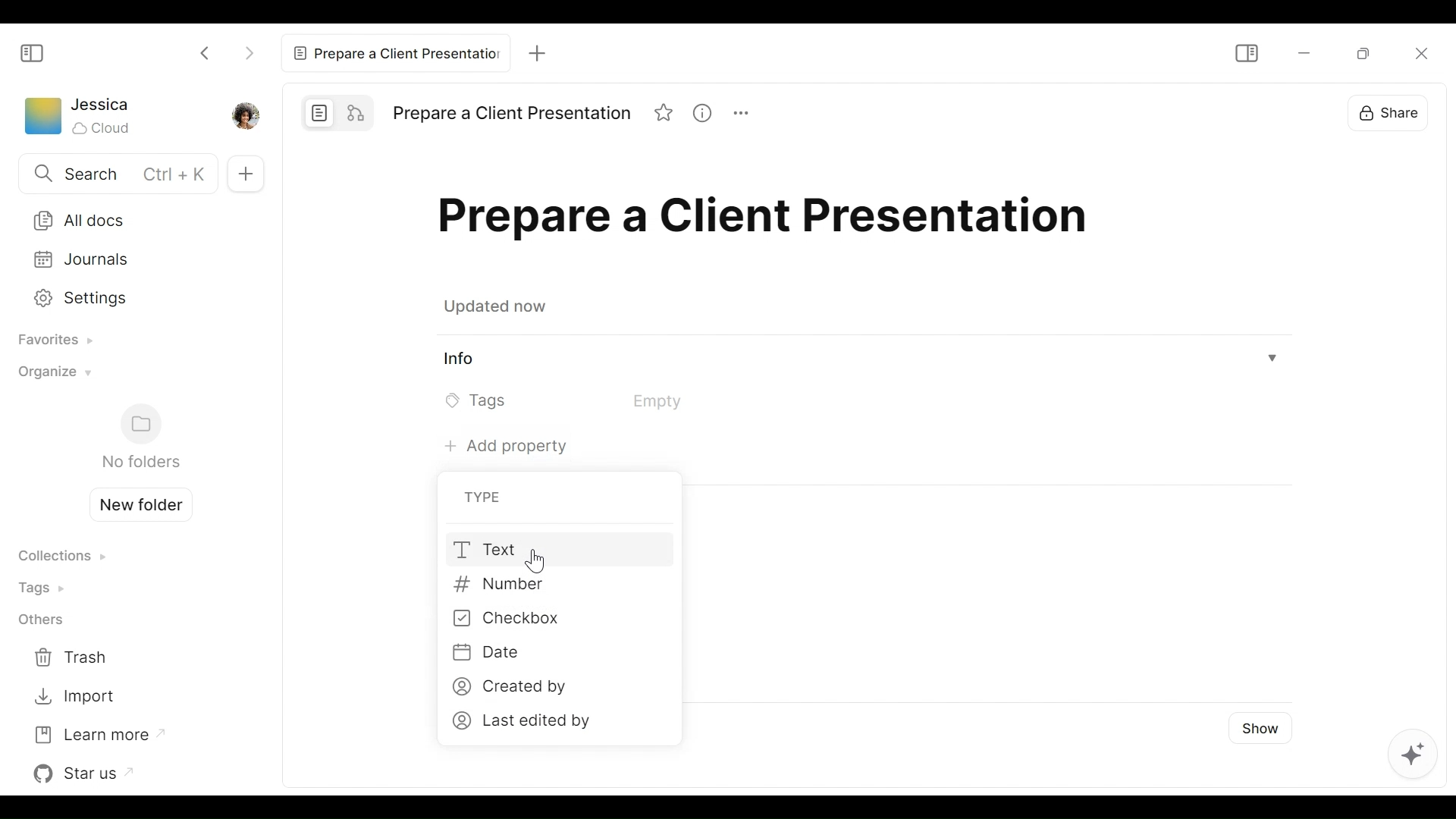  What do you see at coordinates (1263, 724) in the screenshot?
I see `Show` at bounding box center [1263, 724].